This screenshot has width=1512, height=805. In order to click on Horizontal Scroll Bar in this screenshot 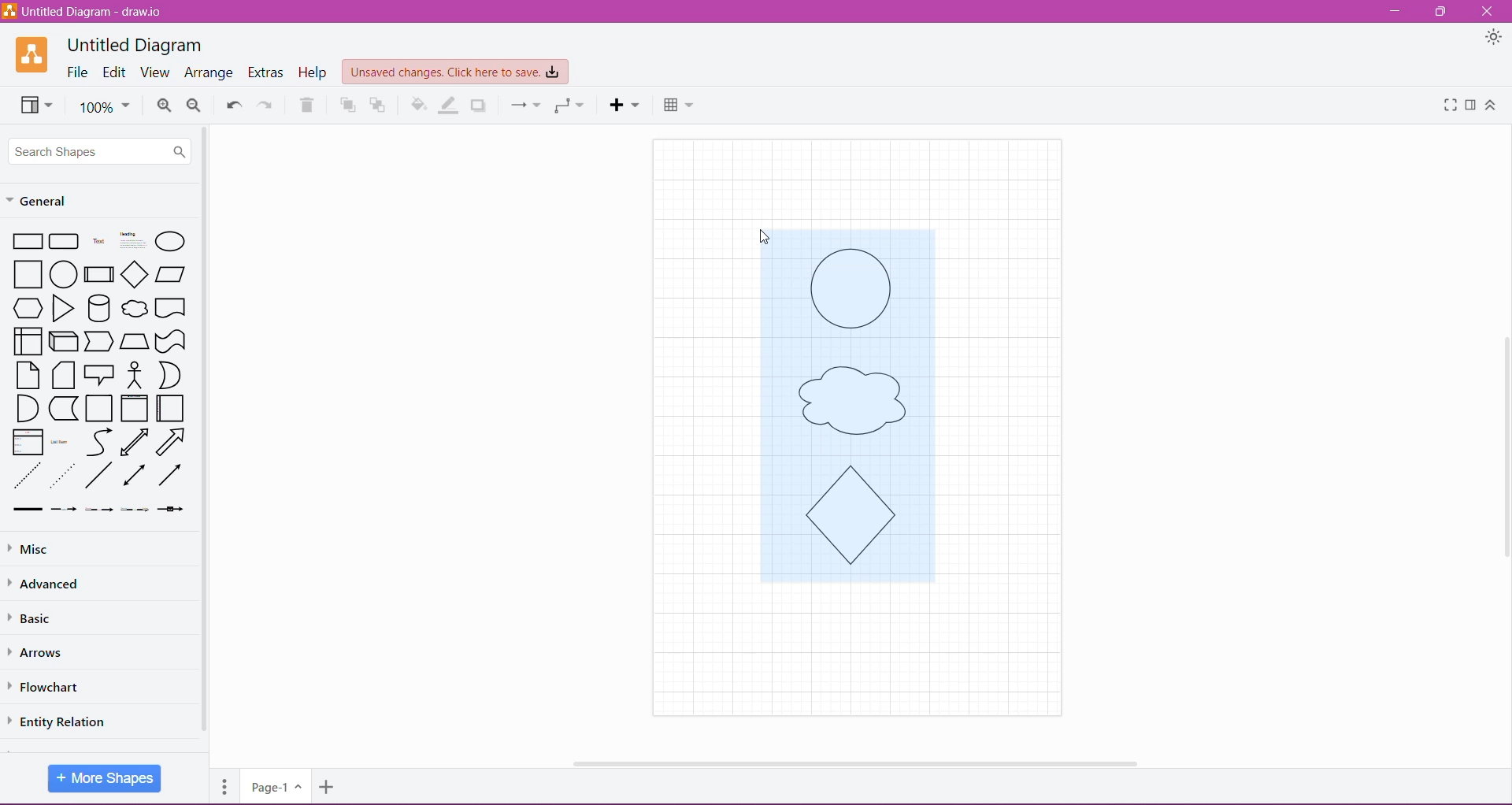, I will do `click(850, 759)`.